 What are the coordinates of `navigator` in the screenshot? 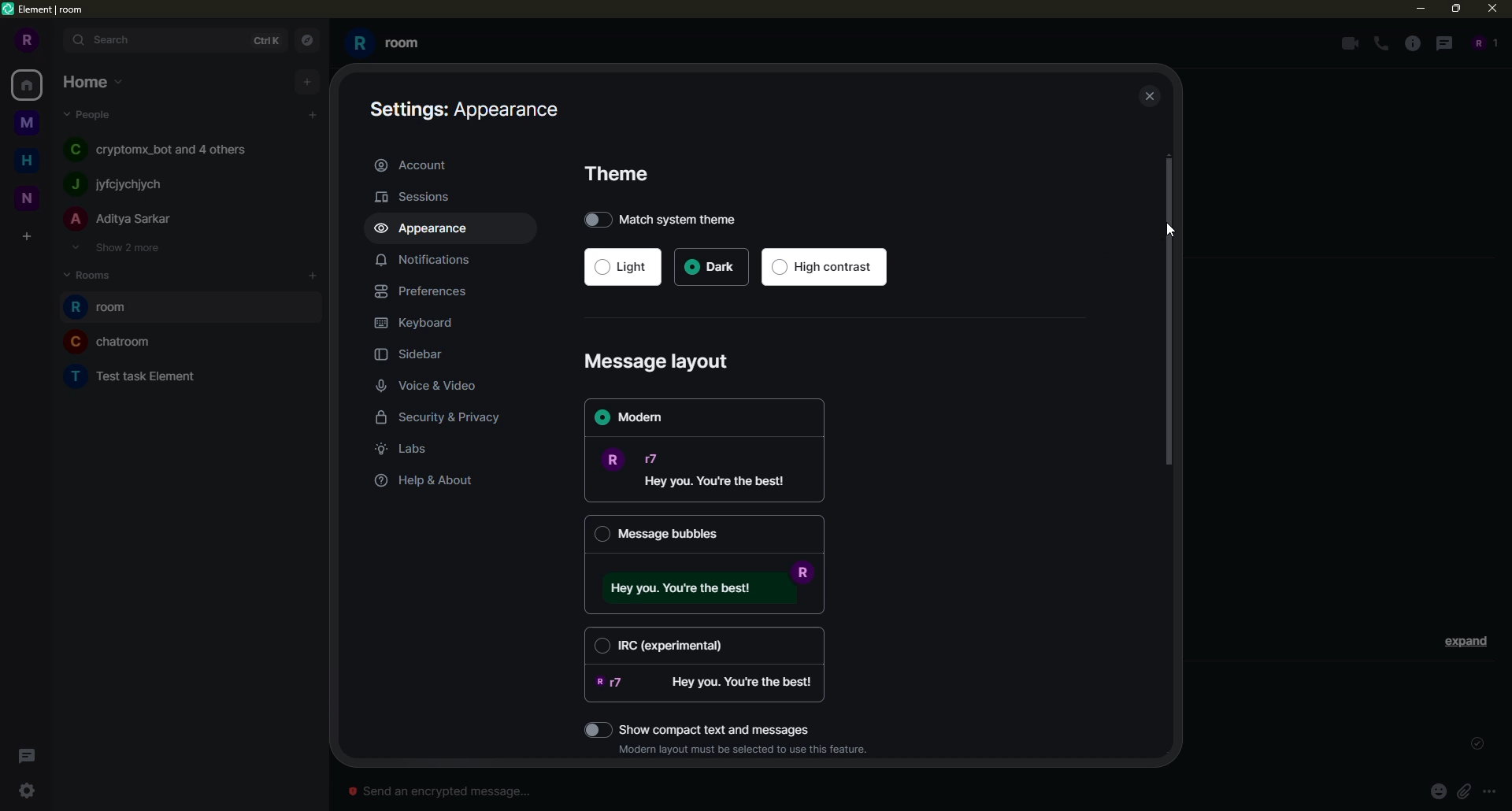 It's located at (306, 41).